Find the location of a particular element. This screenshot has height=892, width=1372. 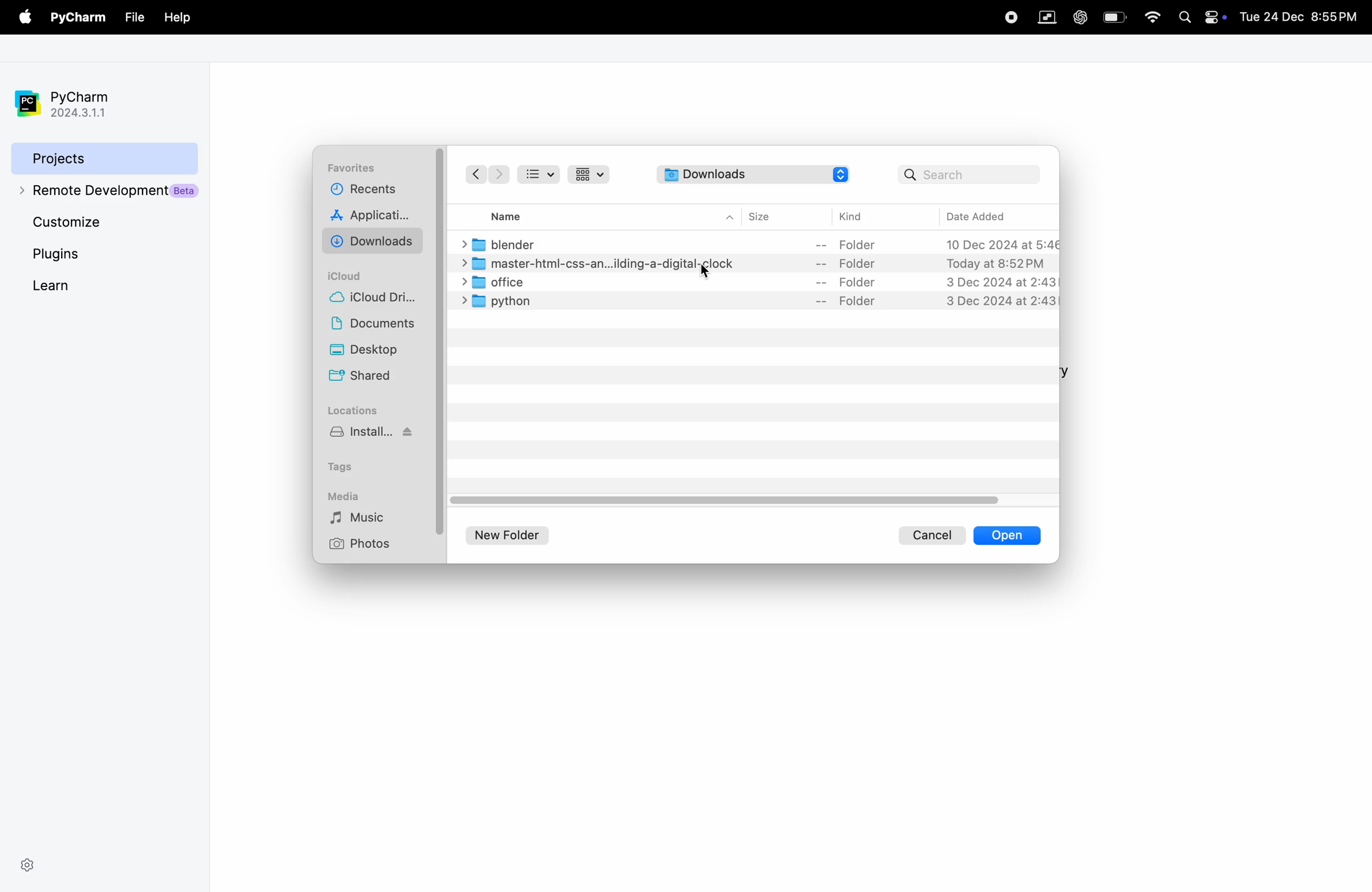

locations is located at coordinates (355, 410).